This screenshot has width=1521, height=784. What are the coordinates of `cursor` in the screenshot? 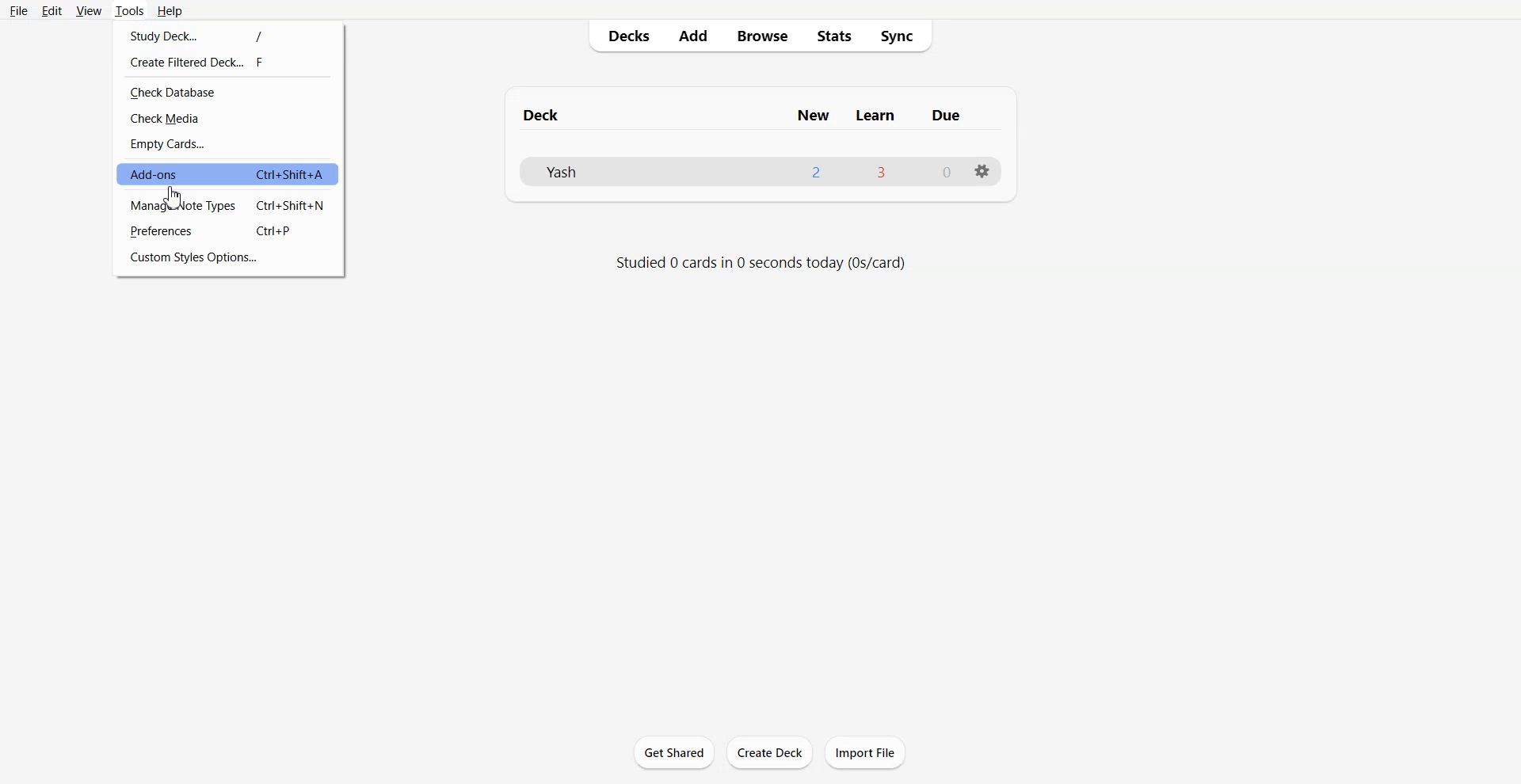 It's located at (182, 196).